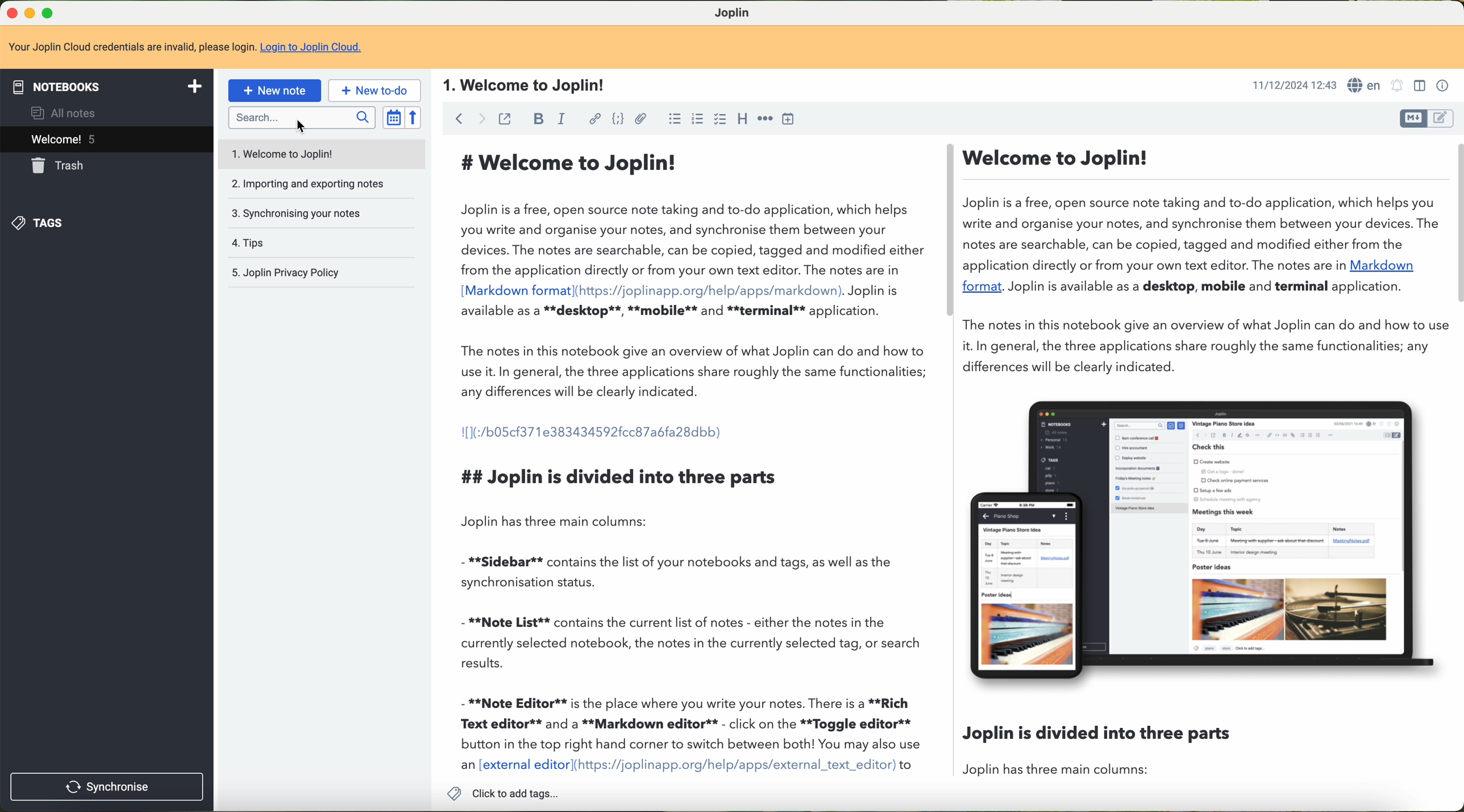 The width and height of the screenshot is (1464, 812). Describe the element at coordinates (744, 118) in the screenshot. I see `heading` at that location.